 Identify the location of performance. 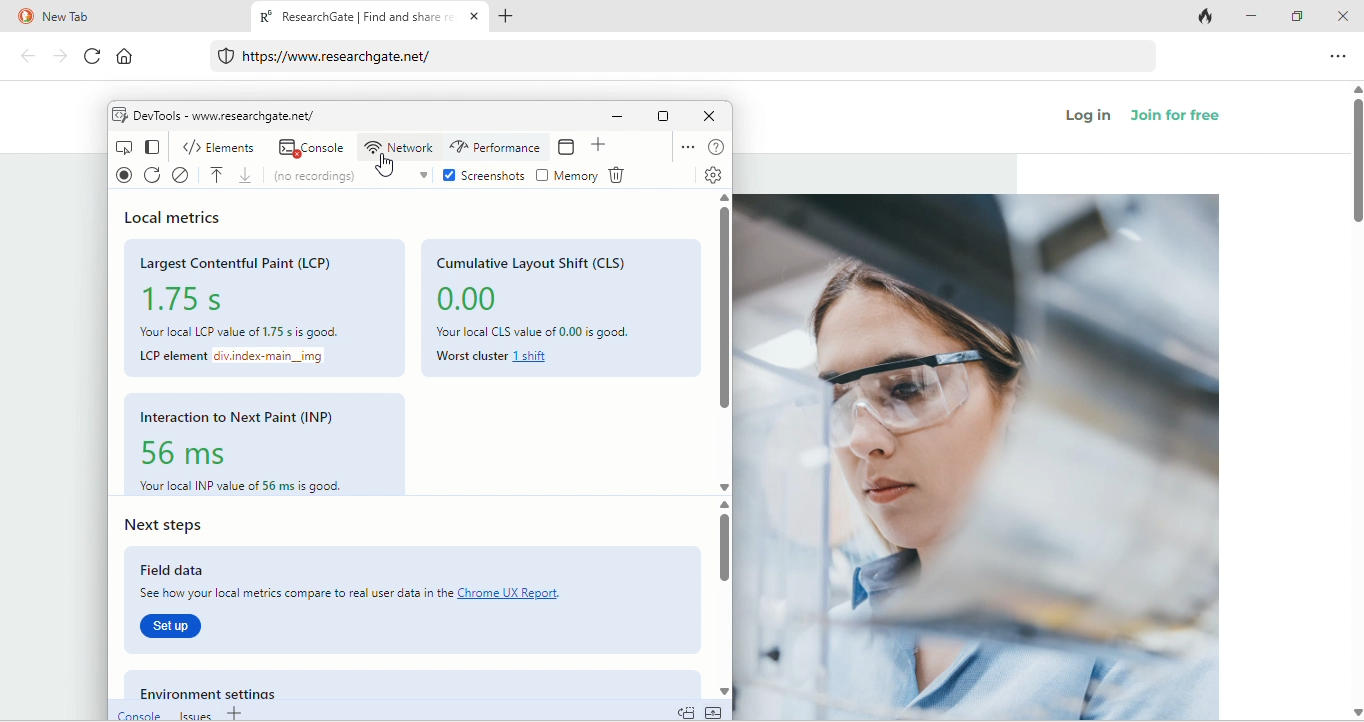
(495, 147).